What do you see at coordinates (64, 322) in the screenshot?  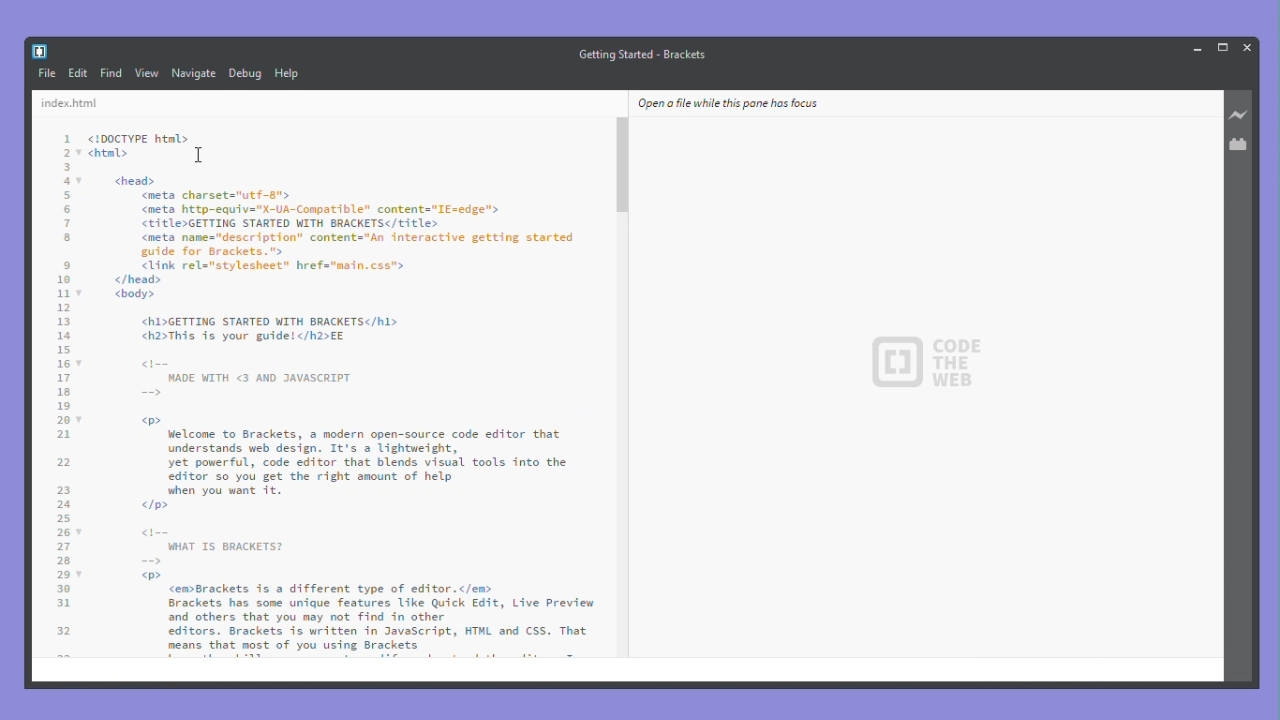 I see `13` at bounding box center [64, 322].